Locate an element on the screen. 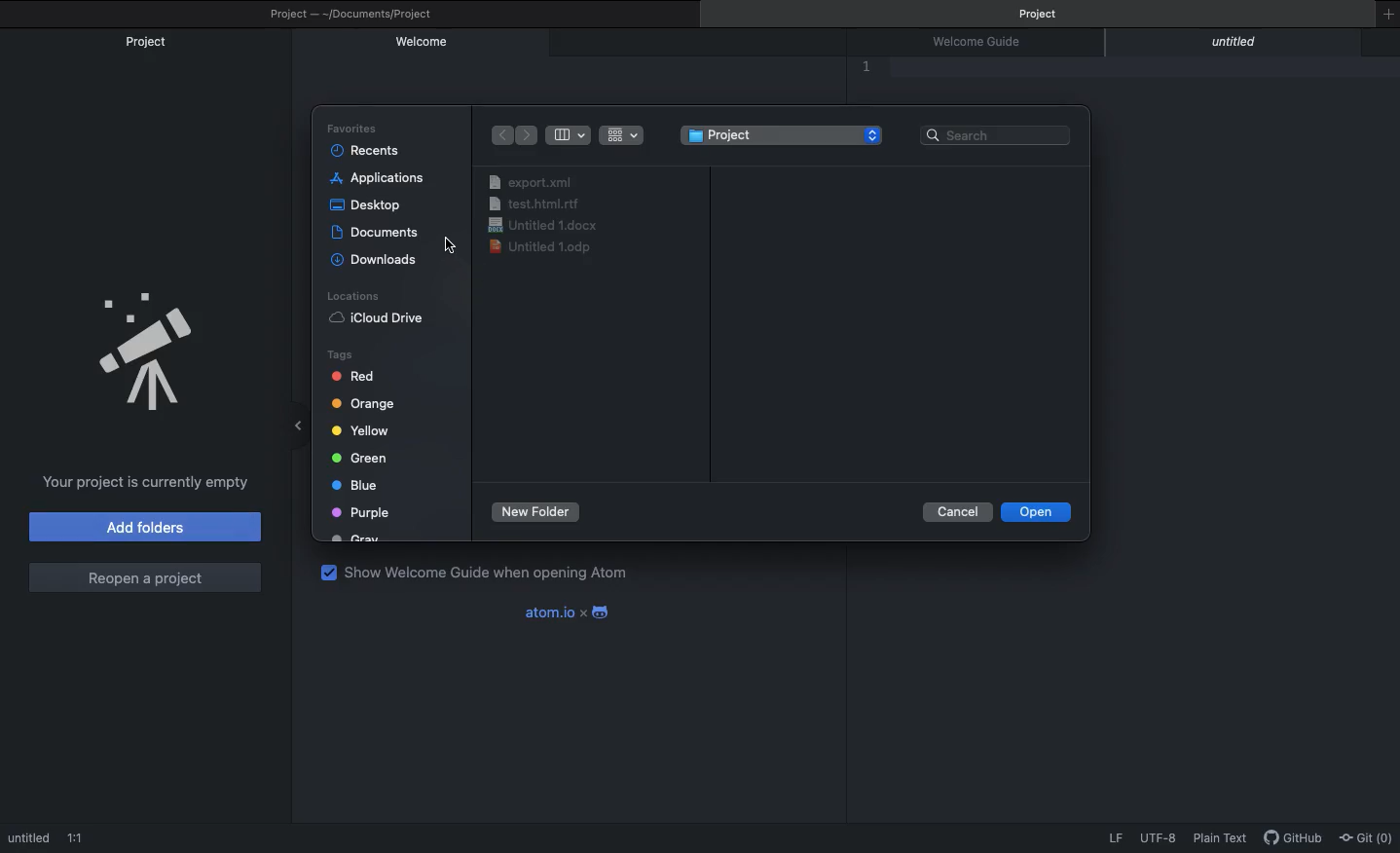 The width and height of the screenshot is (1400, 853). Desktop is located at coordinates (371, 205).